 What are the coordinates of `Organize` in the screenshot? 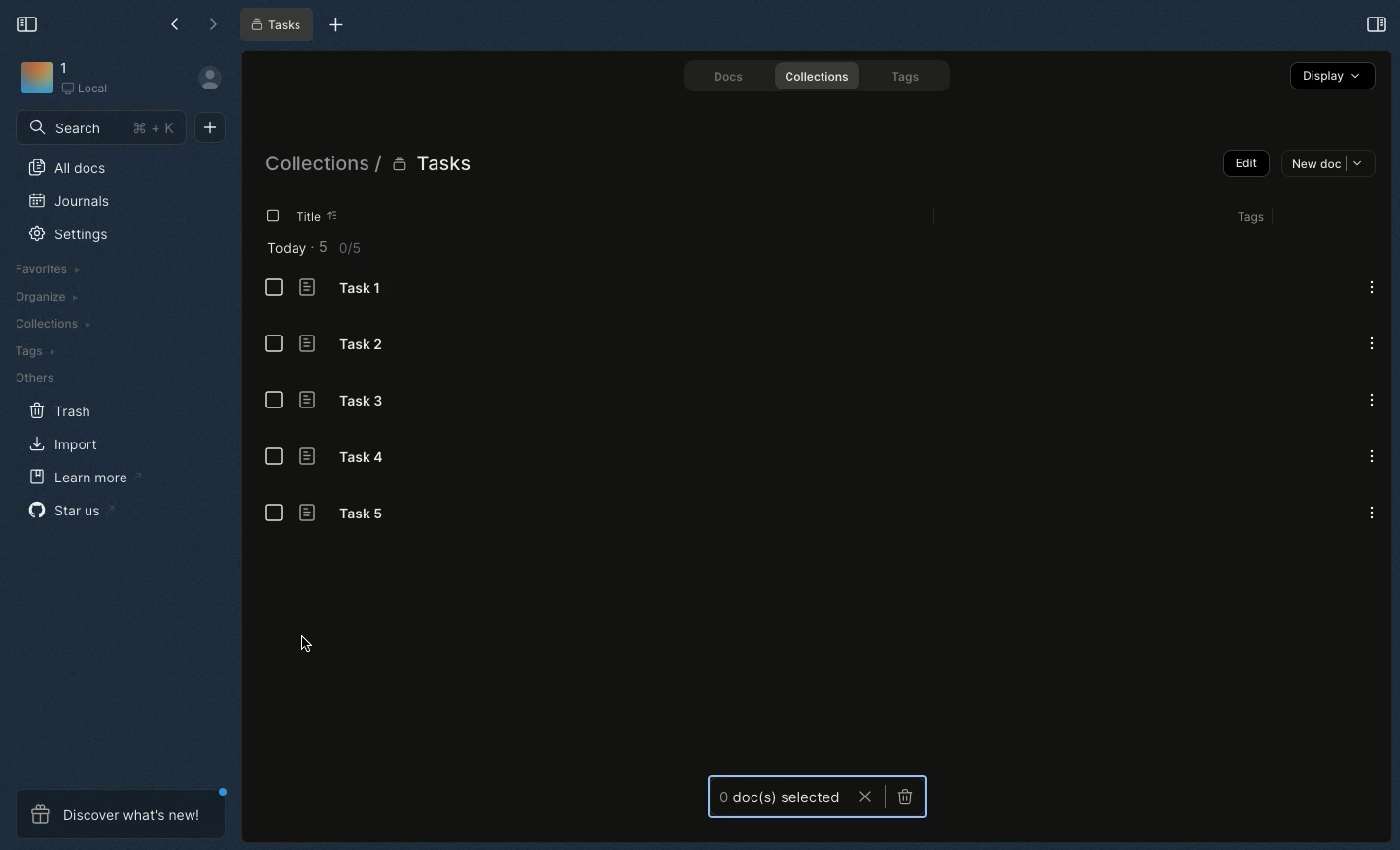 It's located at (46, 300).